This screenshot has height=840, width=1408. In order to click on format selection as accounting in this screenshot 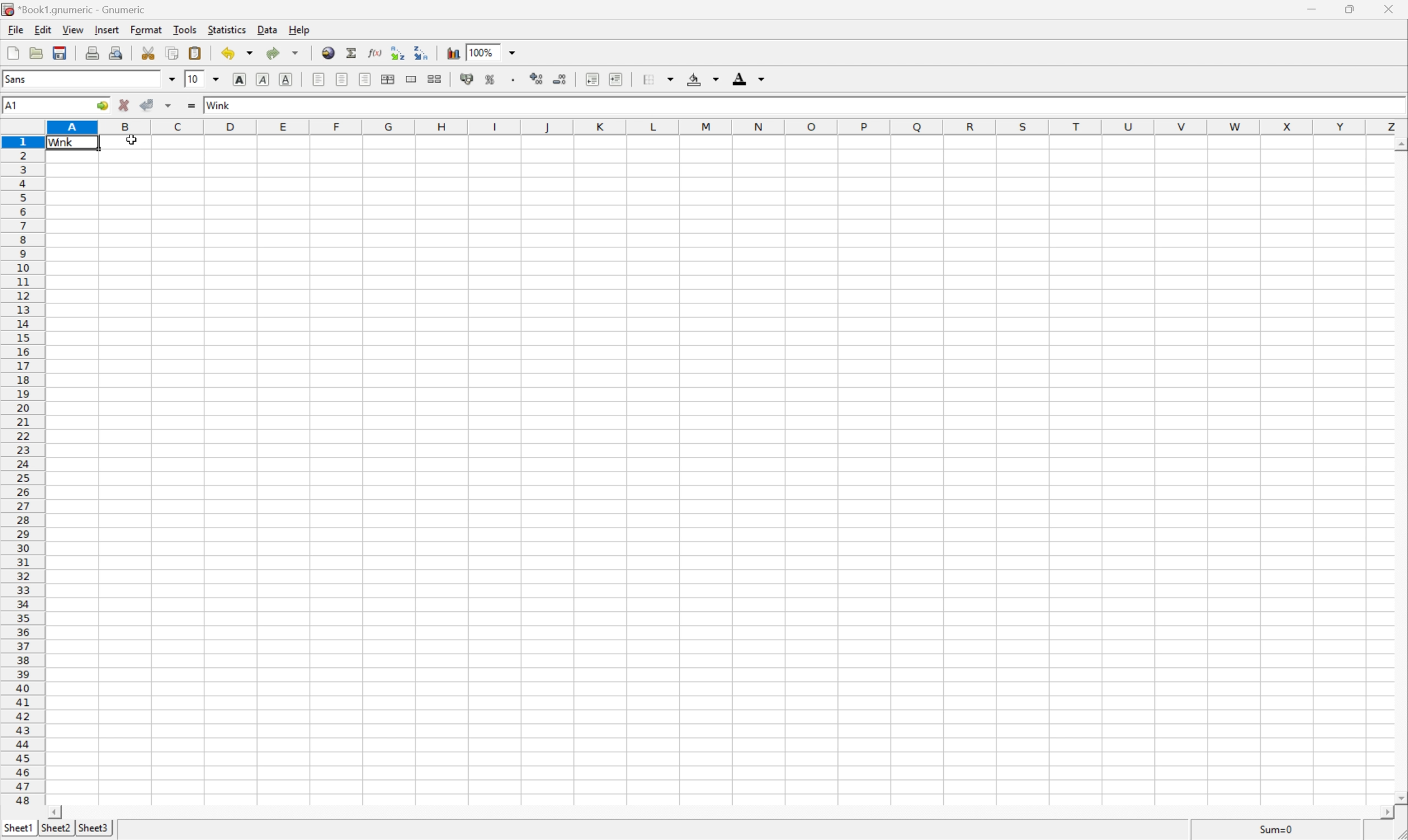, I will do `click(467, 78)`.